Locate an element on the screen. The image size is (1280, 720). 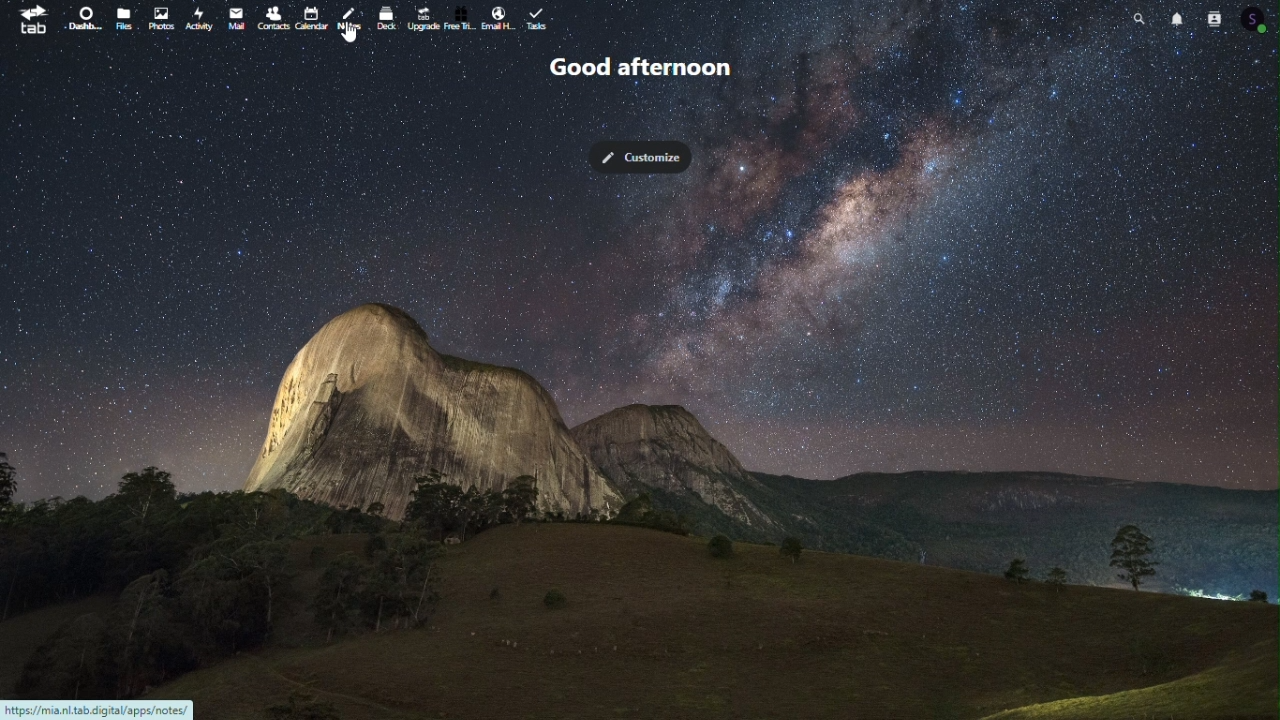
cursor is located at coordinates (350, 32).